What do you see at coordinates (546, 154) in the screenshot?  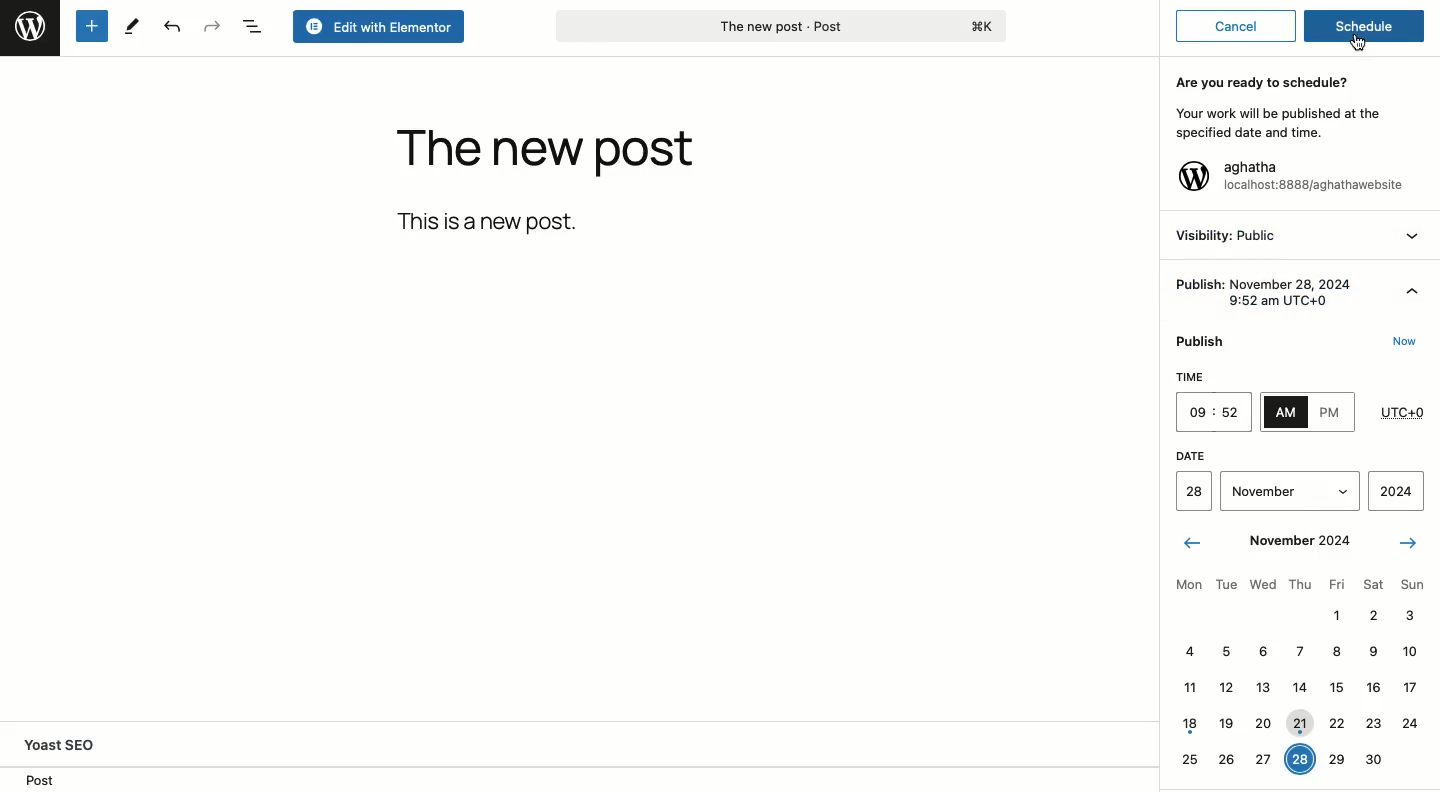 I see `The new post` at bounding box center [546, 154].